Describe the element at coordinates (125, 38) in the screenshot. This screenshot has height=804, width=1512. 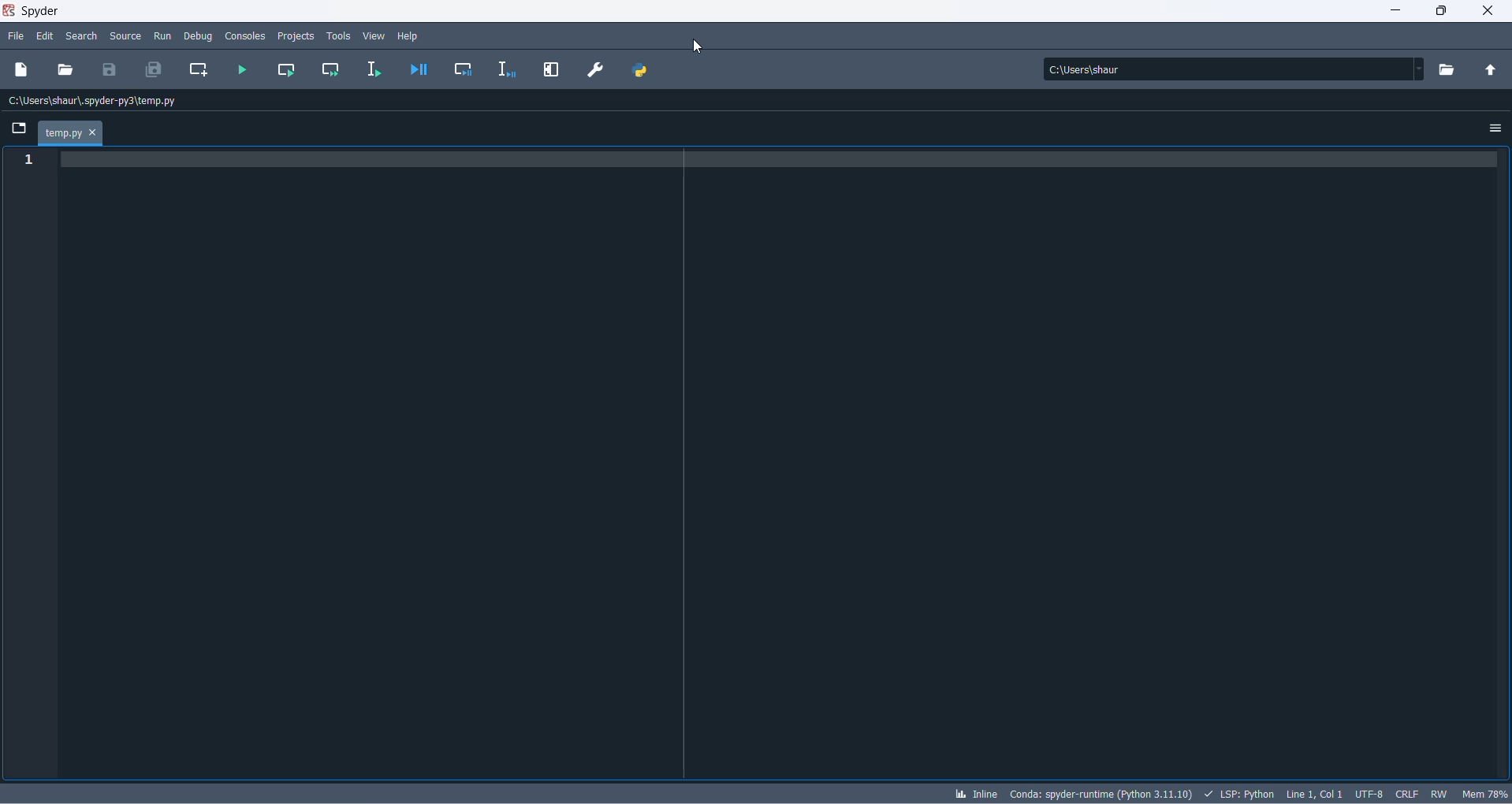
I see `source` at that location.